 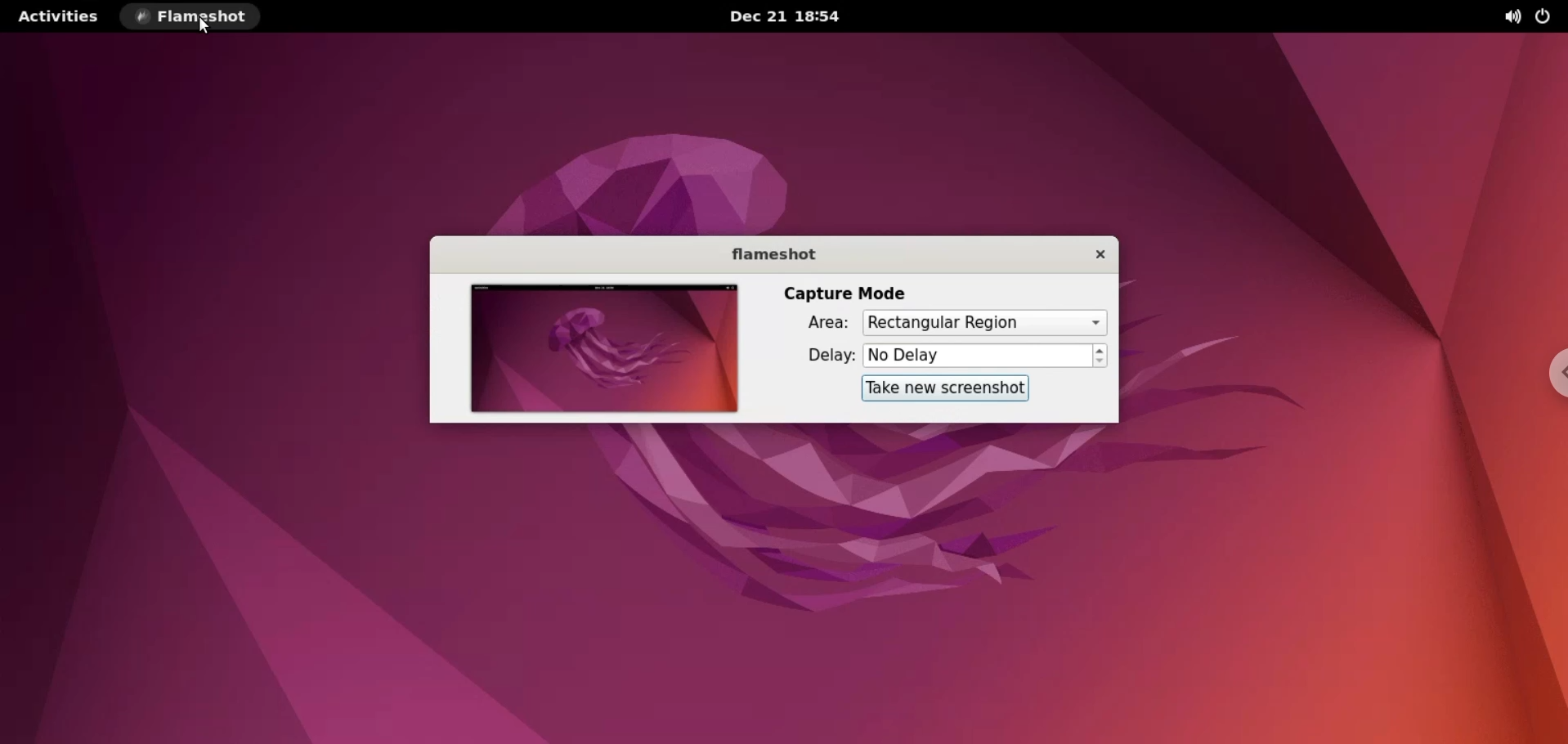 I want to click on screenshot preview, so click(x=599, y=350).